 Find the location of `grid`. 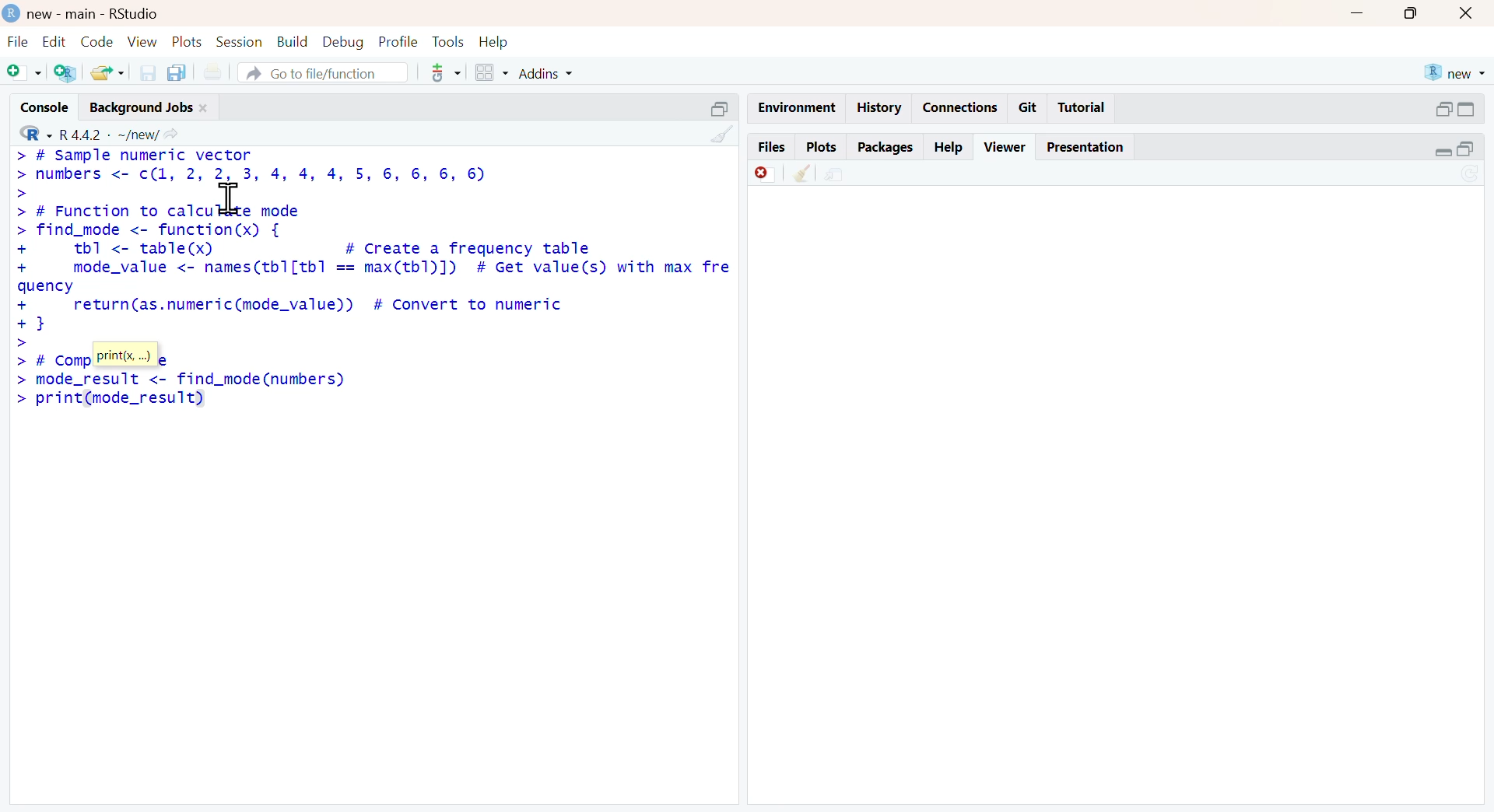

grid is located at coordinates (493, 72).